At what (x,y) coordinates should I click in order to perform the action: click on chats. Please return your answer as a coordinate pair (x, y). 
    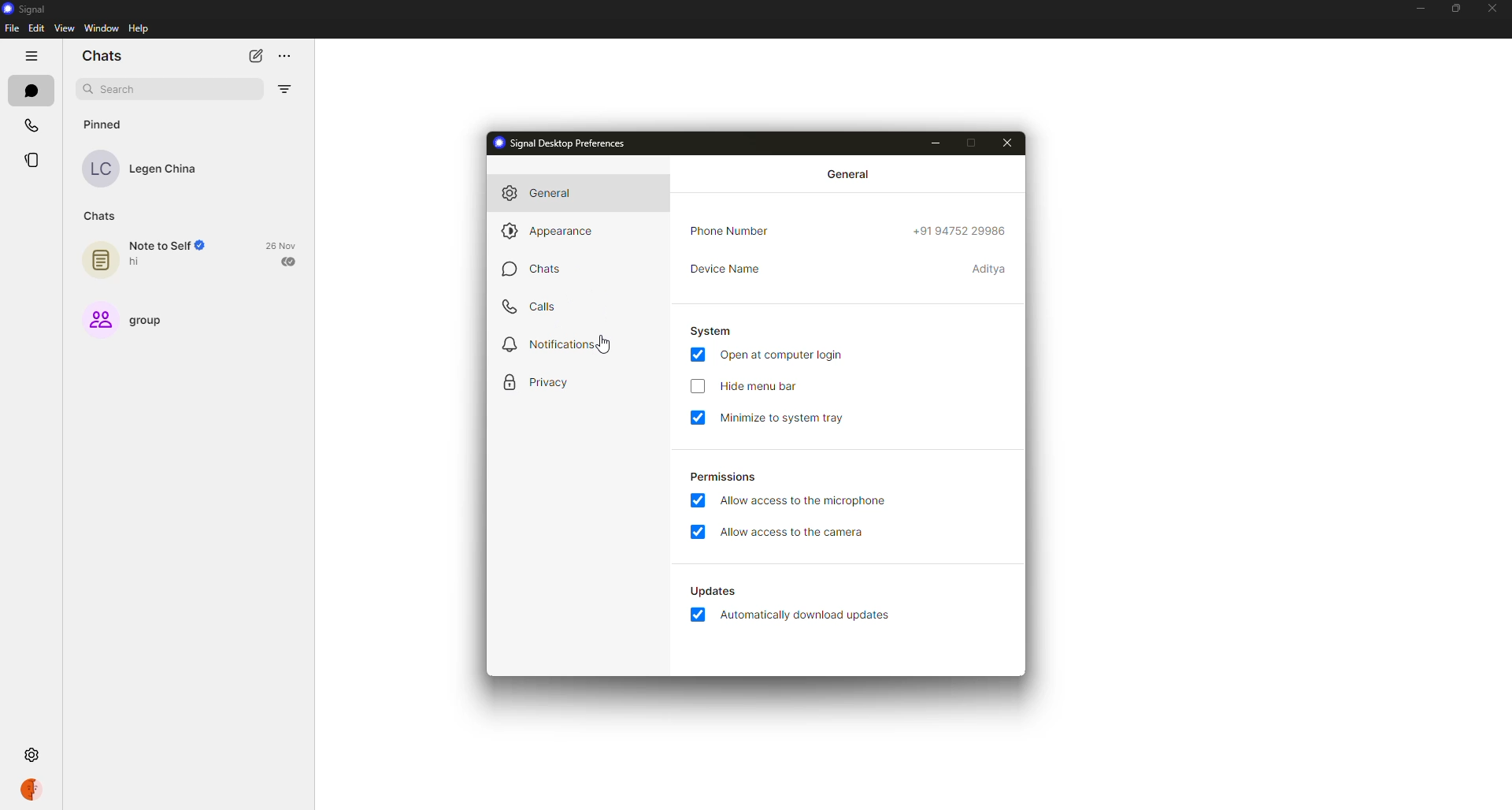
    Looking at the image, I should click on (106, 55).